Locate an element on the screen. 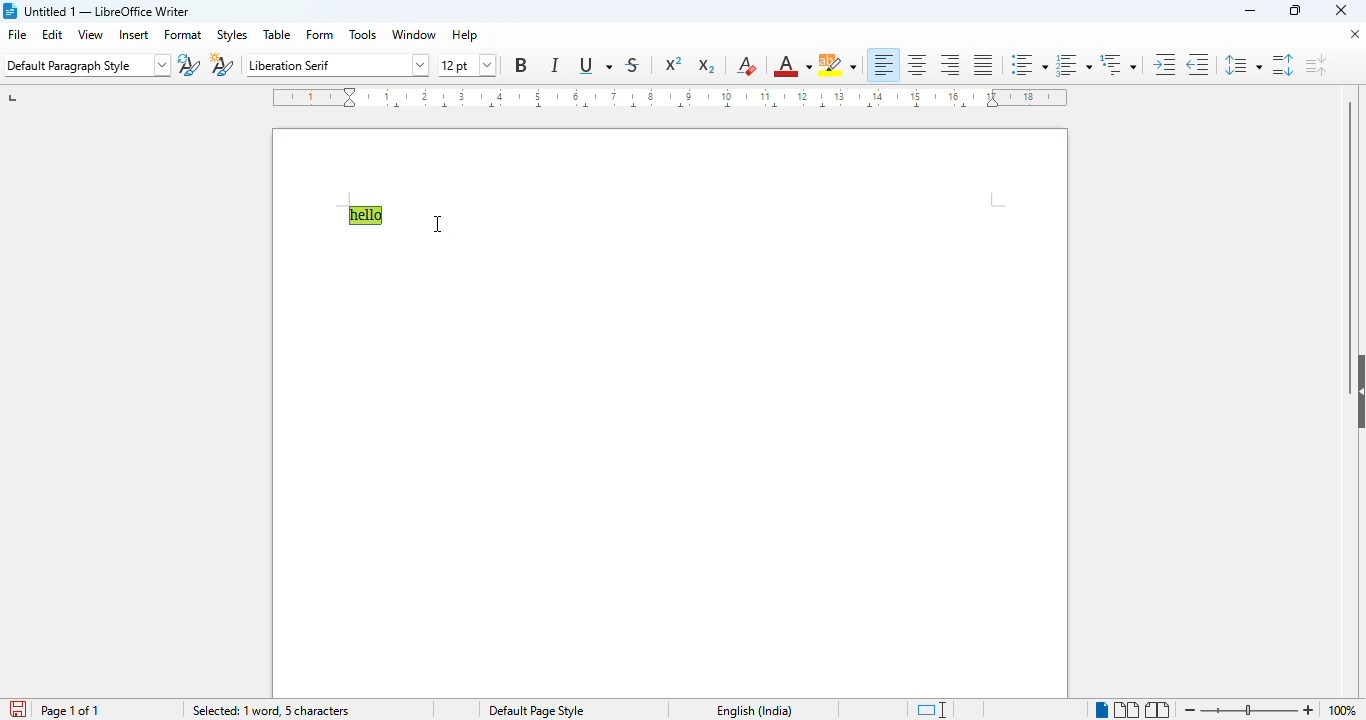 This screenshot has width=1366, height=720. Default Paragraph Style is located at coordinates (81, 66).